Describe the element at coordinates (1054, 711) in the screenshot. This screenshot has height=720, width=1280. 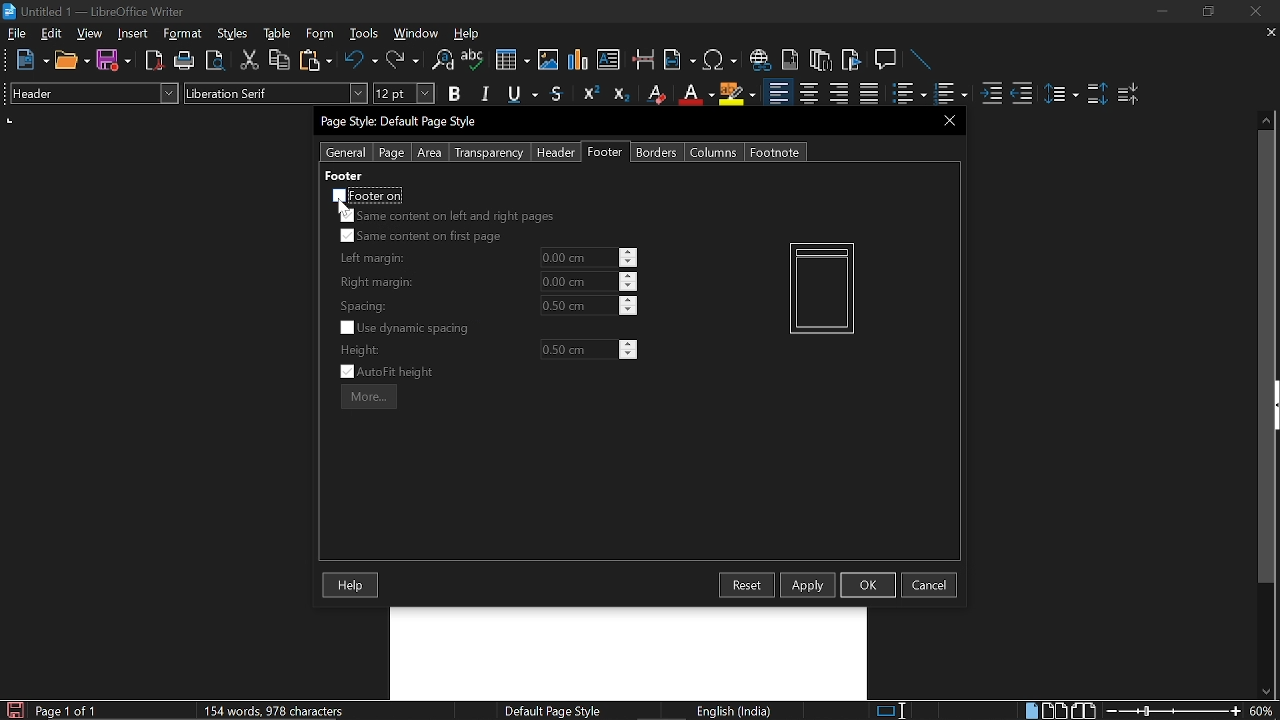
I see `Multiple page view` at that location.